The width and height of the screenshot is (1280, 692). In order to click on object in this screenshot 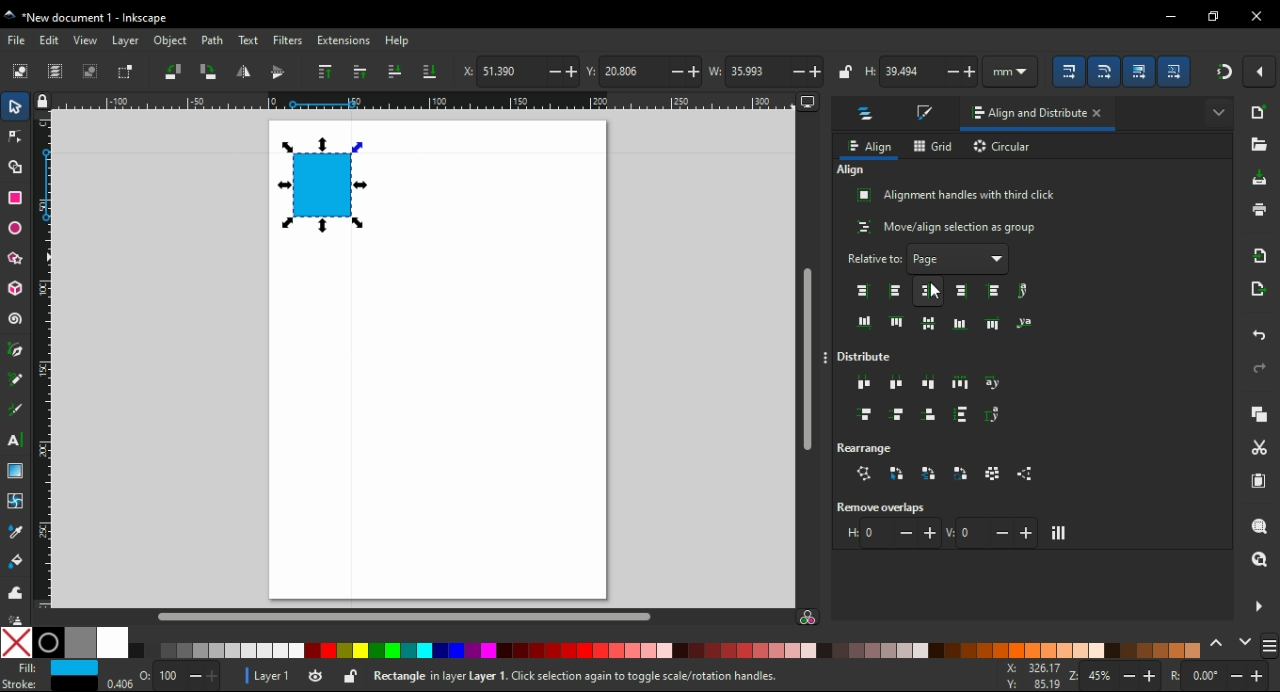, I will do `click(169, 40)`.